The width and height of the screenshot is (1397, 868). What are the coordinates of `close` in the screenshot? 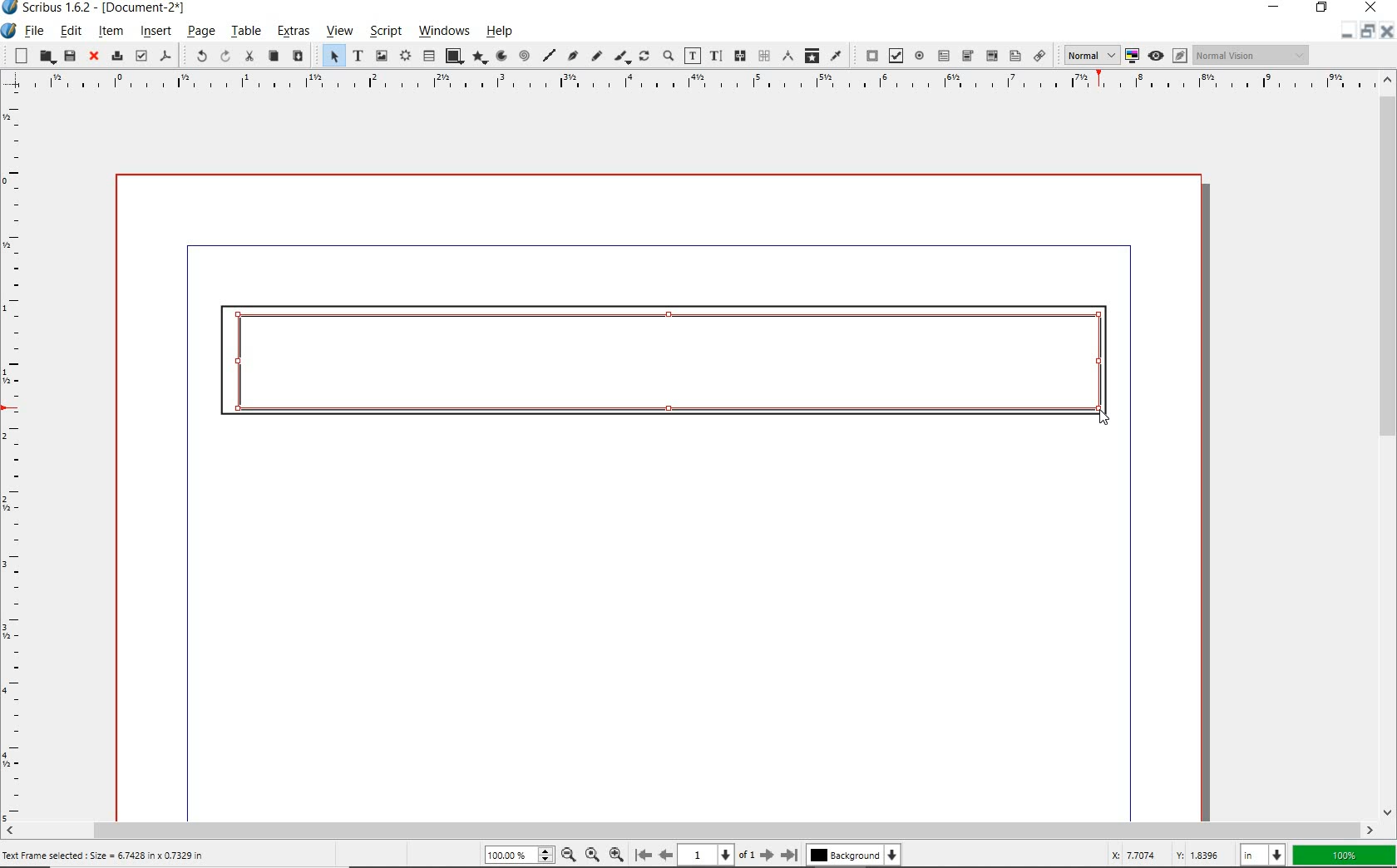 It's located at (1389, 32).